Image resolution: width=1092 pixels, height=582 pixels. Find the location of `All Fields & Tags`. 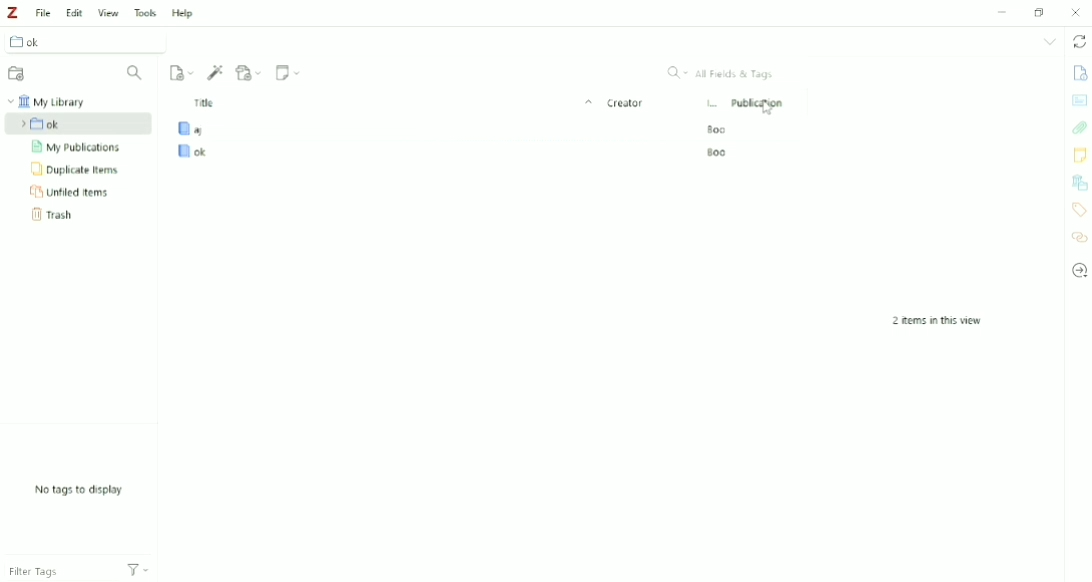

All Fields & Tags is located at coordinates (724, 71).